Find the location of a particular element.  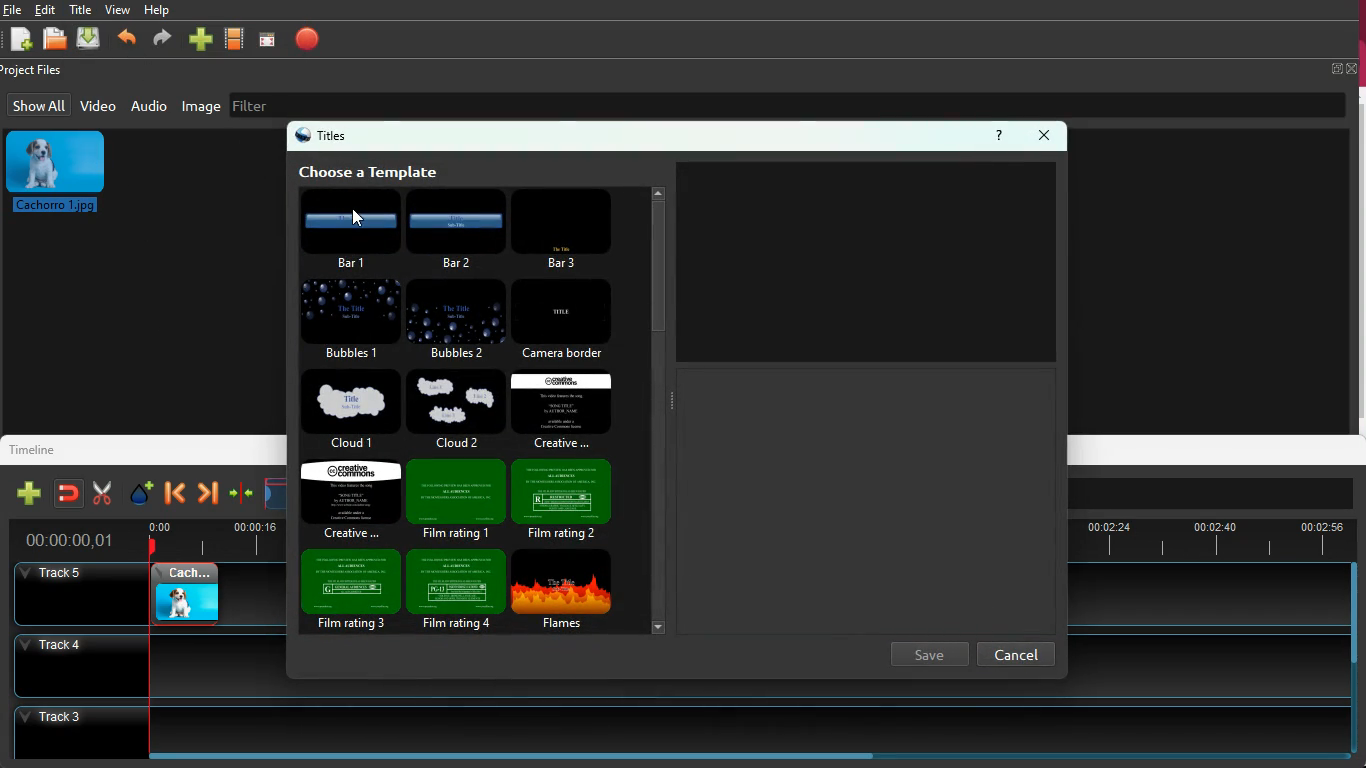

video is located at coordinates (236, 40).